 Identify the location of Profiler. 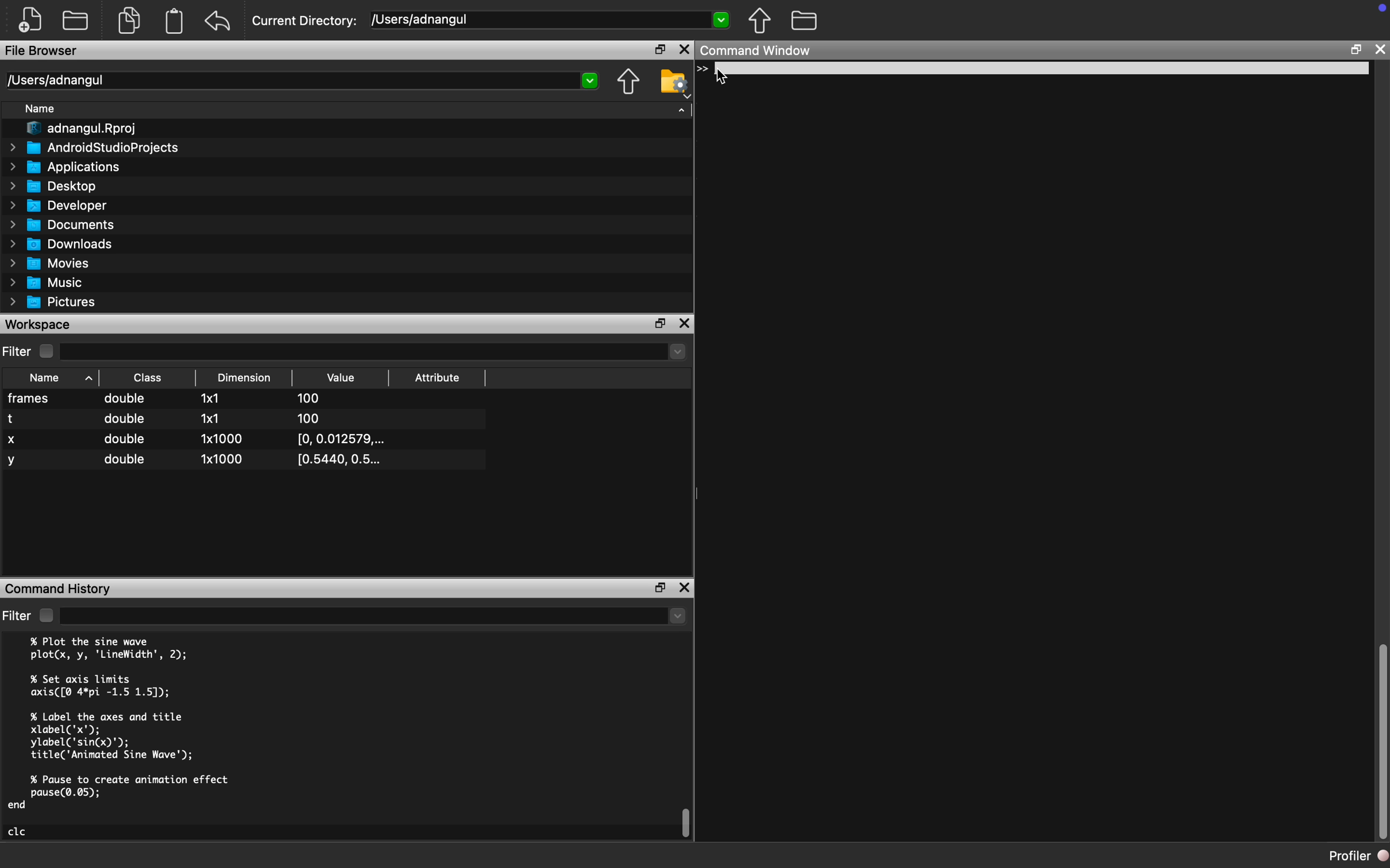
(1360, 856).